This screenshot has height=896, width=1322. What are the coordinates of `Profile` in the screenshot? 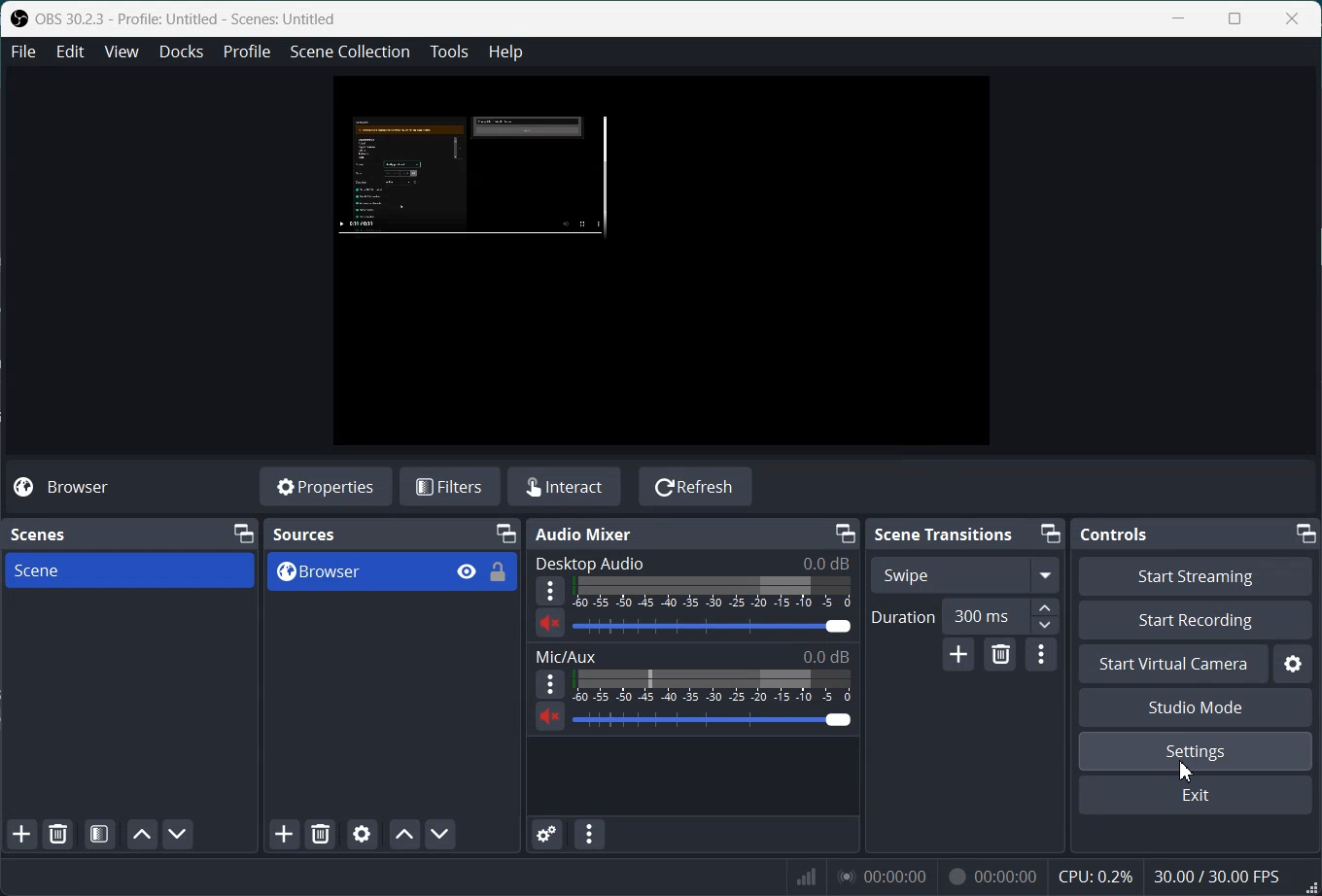 It's located at (247, 52).